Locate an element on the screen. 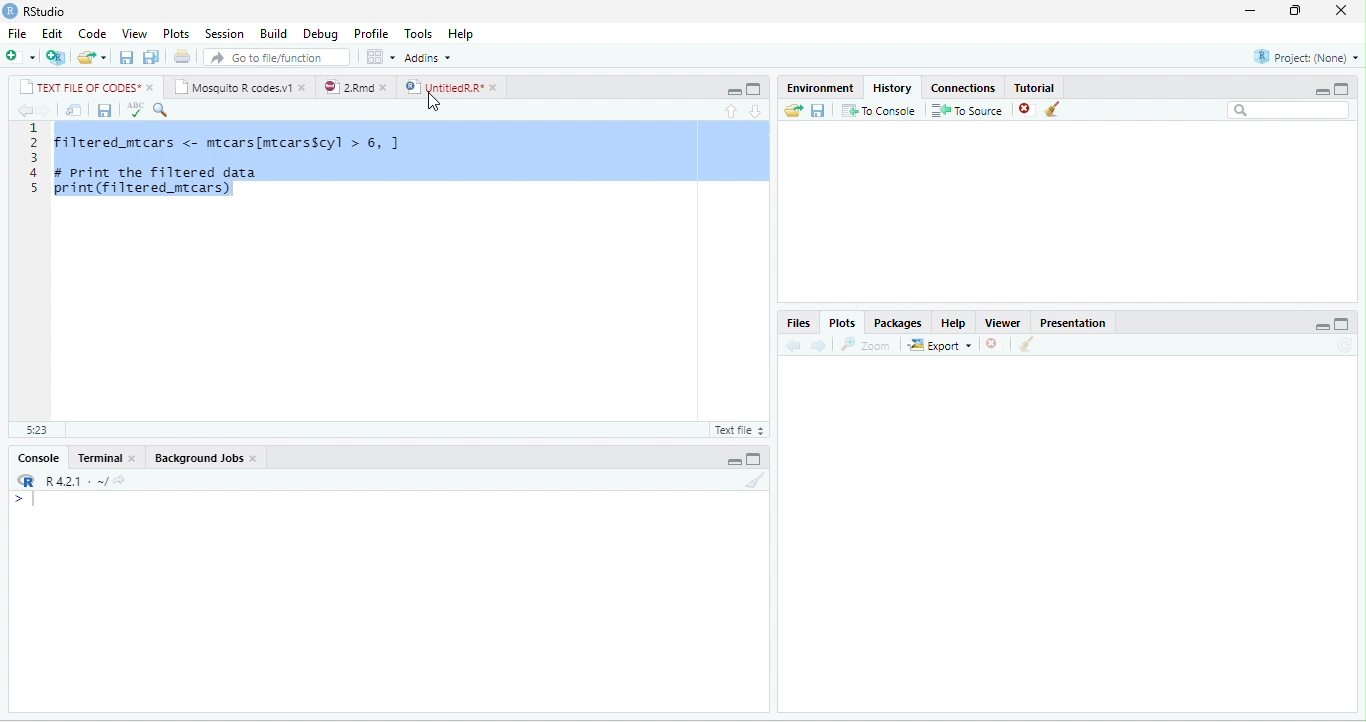 This screenshot has height=722, width=1366. Edit is located at coordinates (52, 33).